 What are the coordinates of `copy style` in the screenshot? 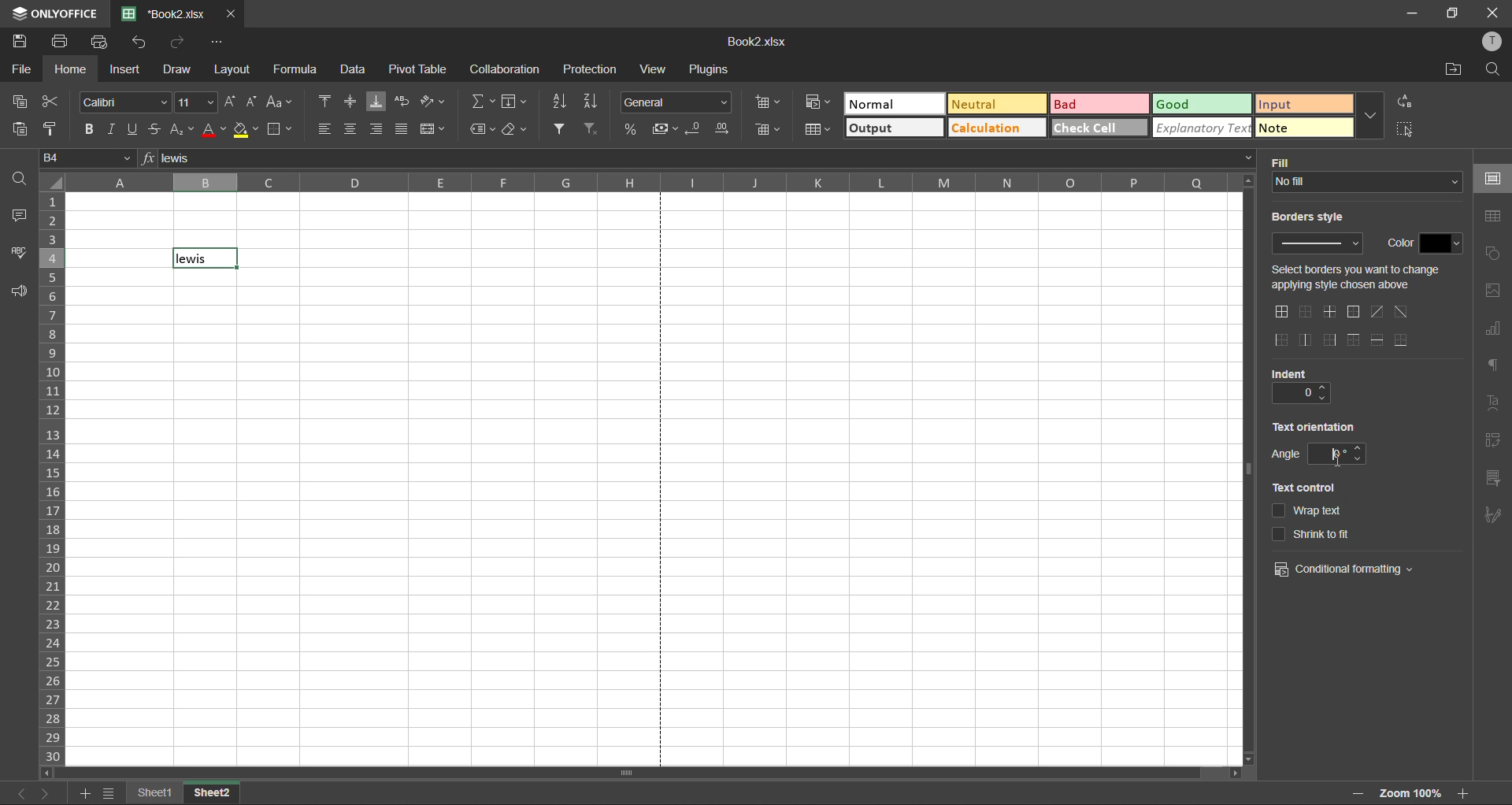 It's located at (57, 132).